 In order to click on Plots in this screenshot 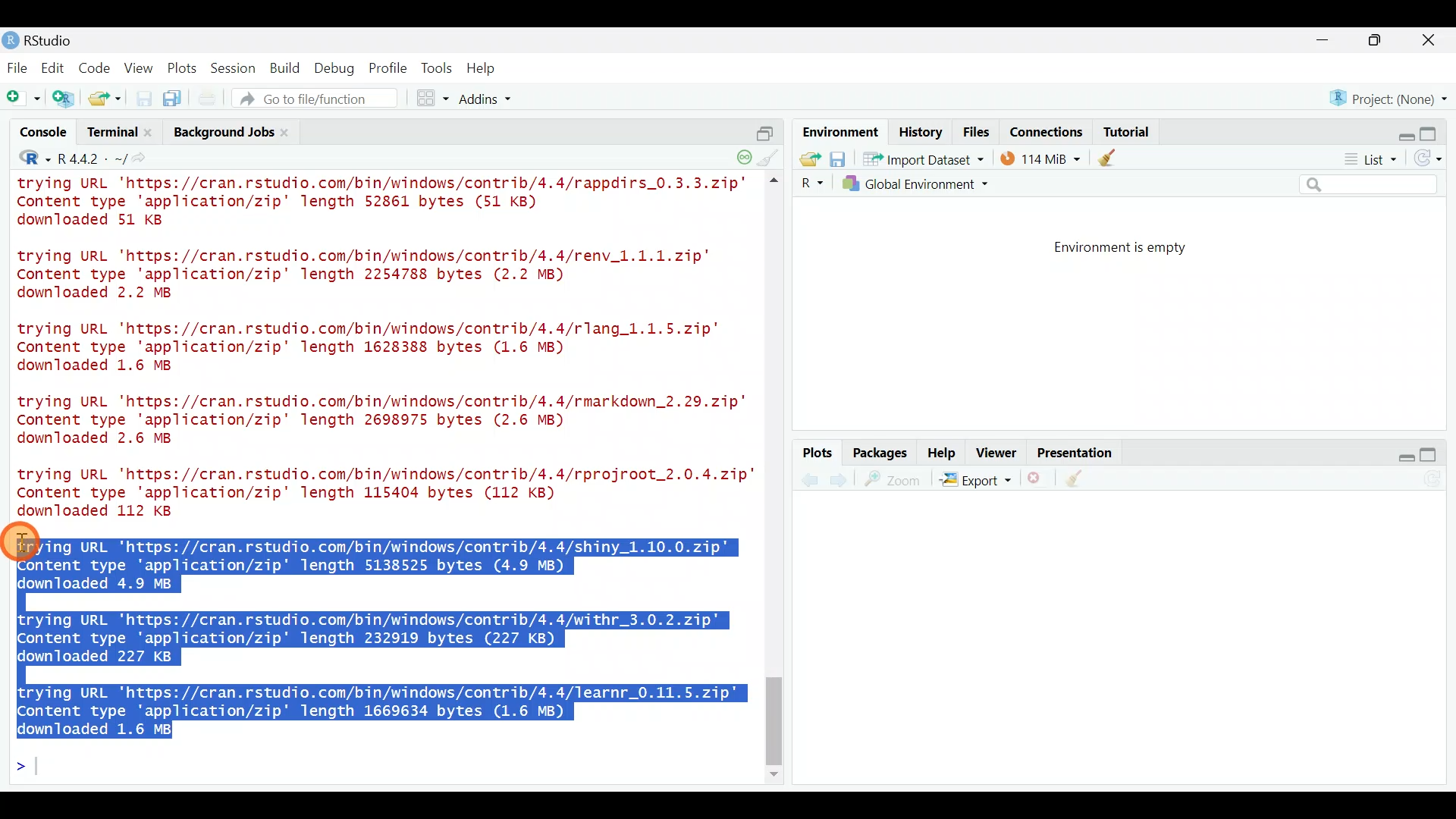, I will do `click(818, 453)`.